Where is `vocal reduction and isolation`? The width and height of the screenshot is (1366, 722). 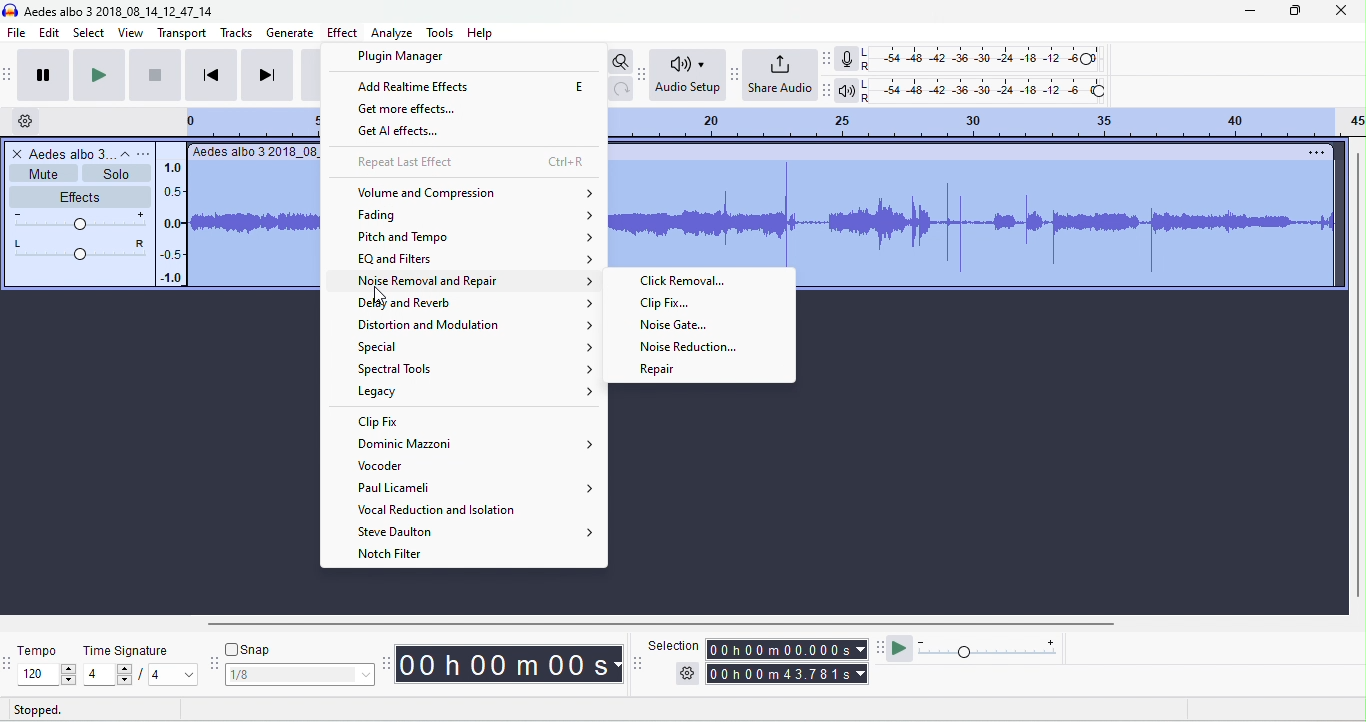
vocal reduction and isolation is located at coordinates (441, 511).